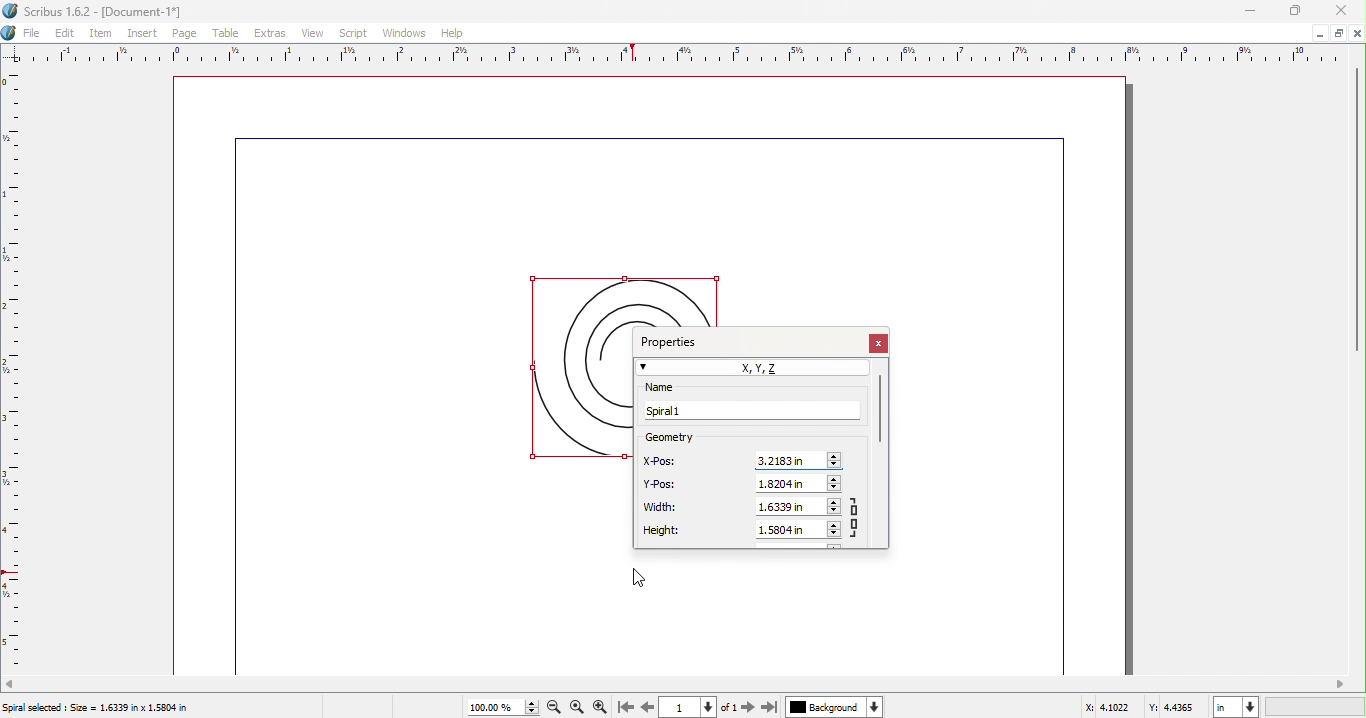 The width and height of the screenshot is (1366, 718). Describe the element at coordinates (824, 707) in the screenshot. I see `Select the current layer` at that location.